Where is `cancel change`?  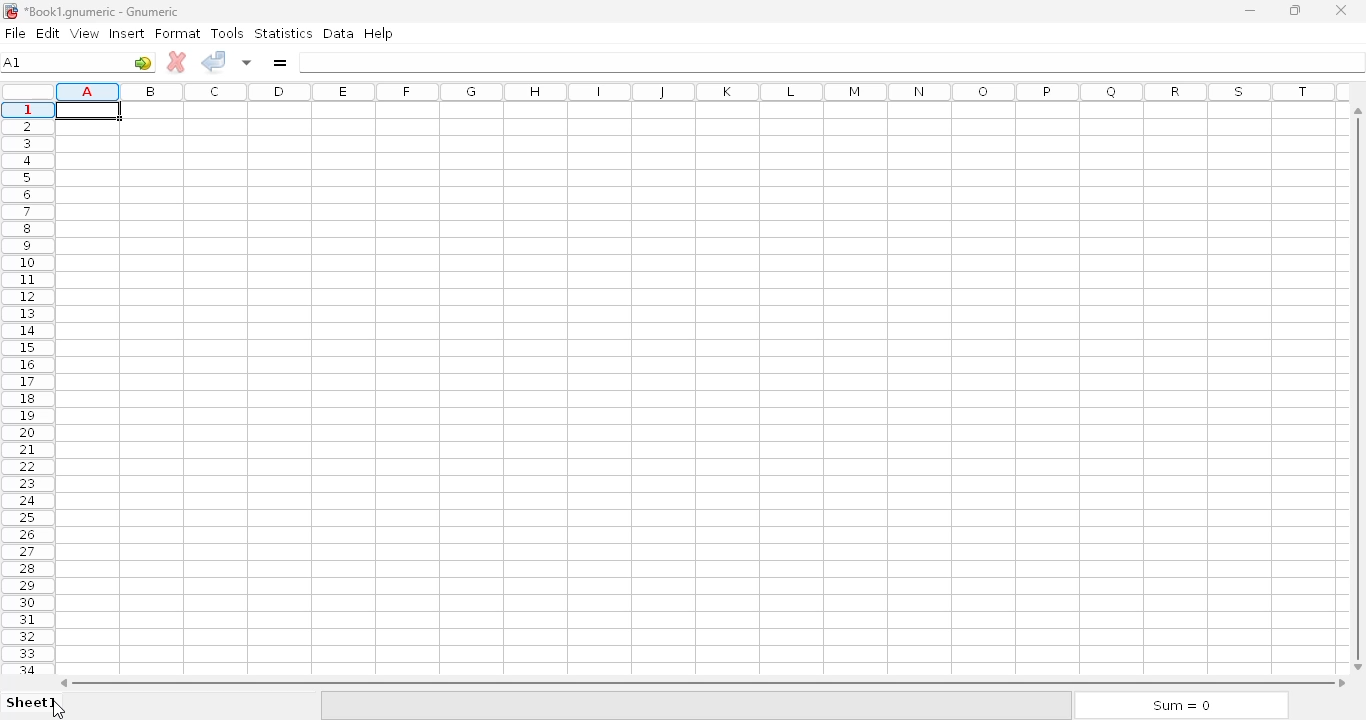 cancel change is located at coordinates (177, 62).